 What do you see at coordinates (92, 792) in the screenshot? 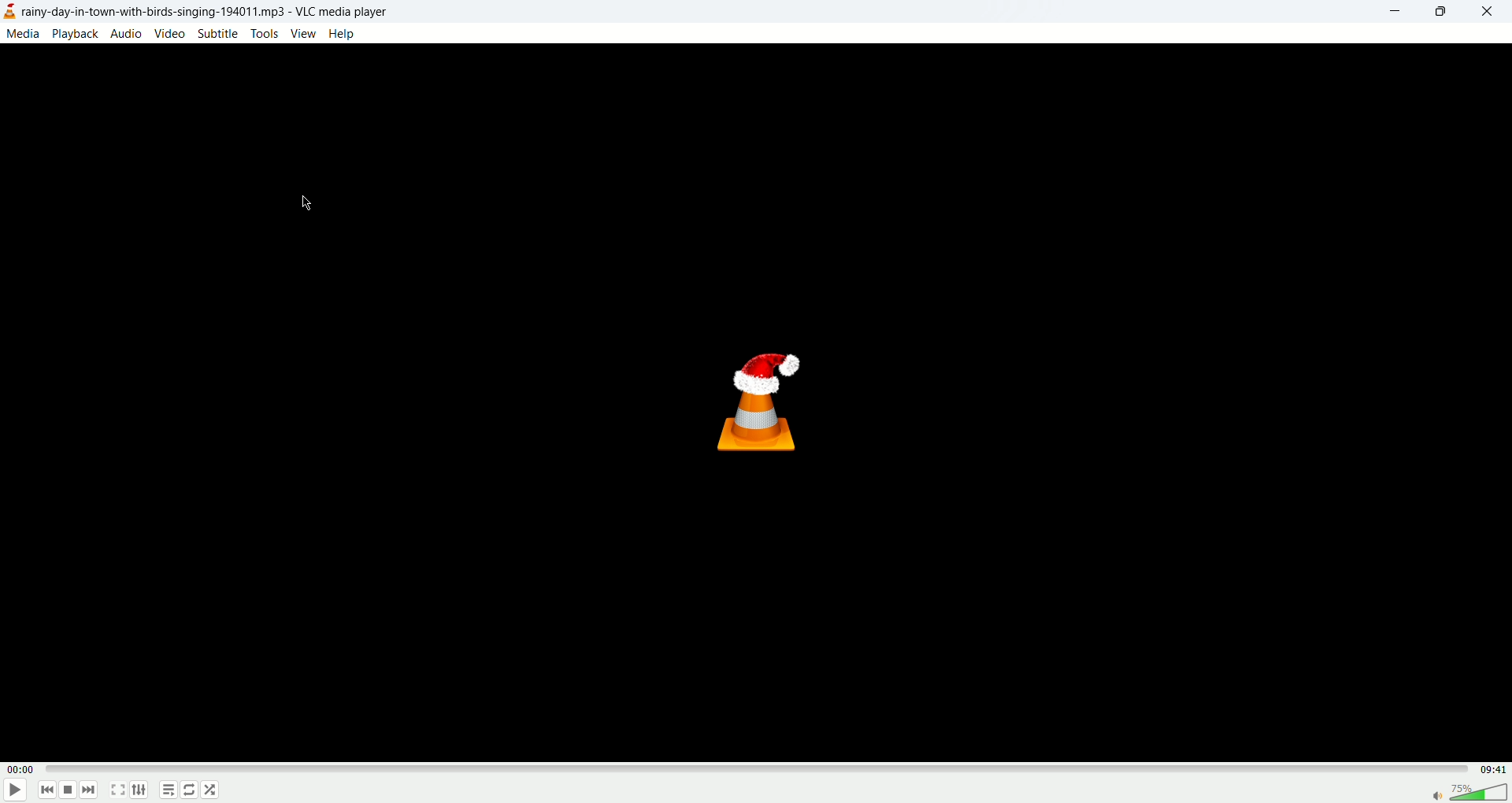
I see `next` at bounding box center [92, 792].